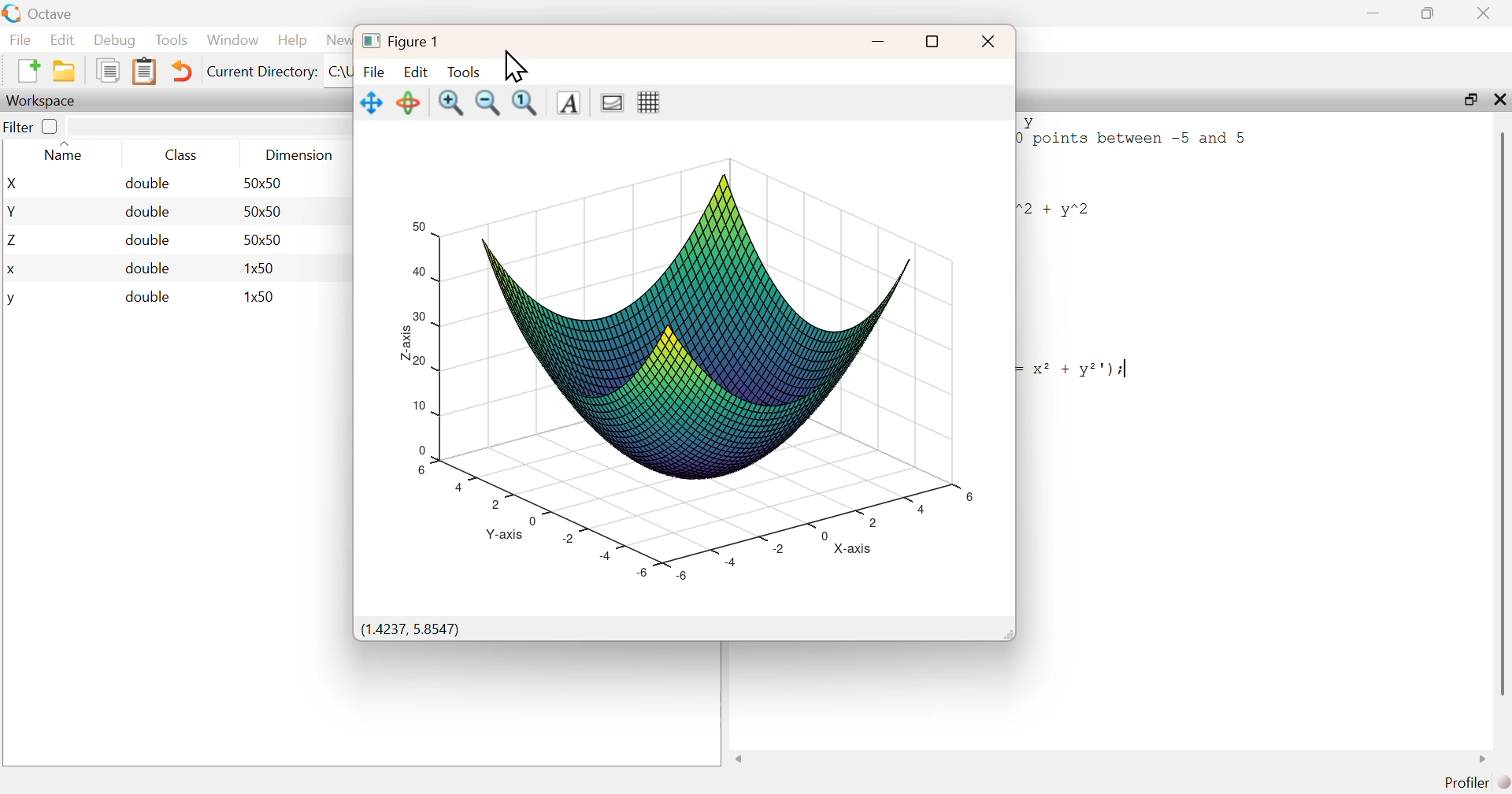  What do you see at coordinates (989, 41) in the screenshot?
I see `close` at bounding box center [989, 41].